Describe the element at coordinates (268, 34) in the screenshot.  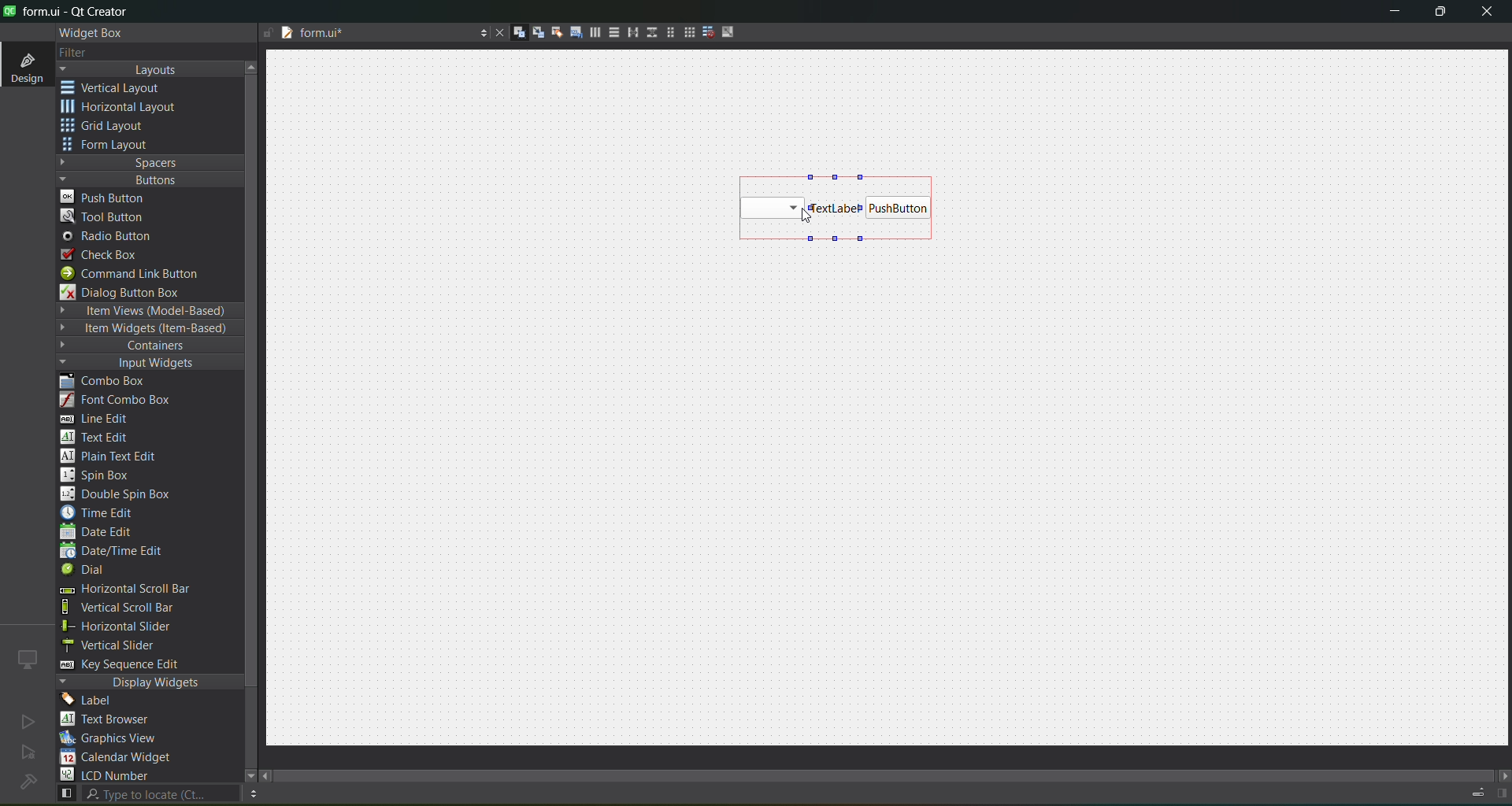
I see `file is writable` at that location.